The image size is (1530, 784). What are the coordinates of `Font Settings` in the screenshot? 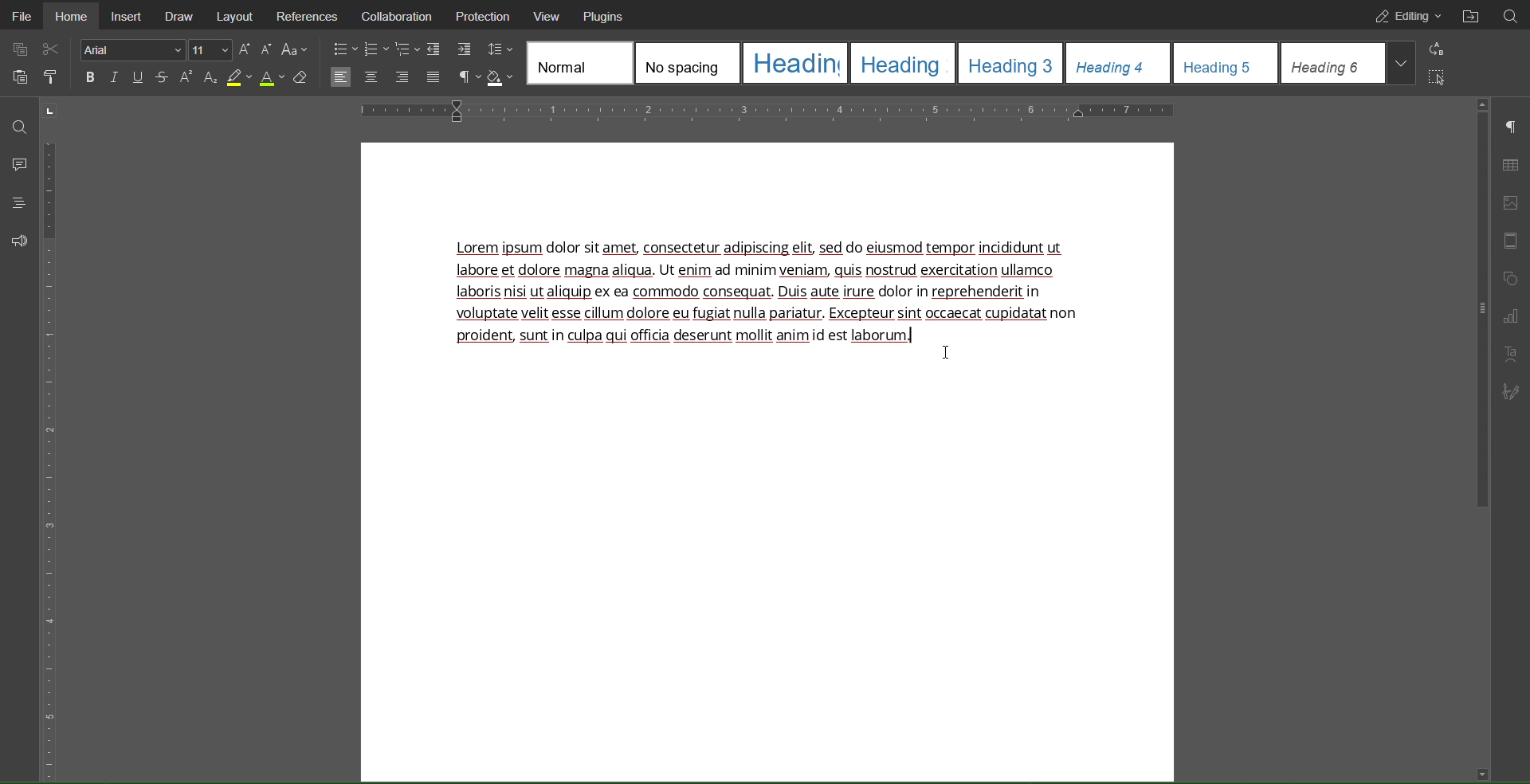 It's located at (131, 52).